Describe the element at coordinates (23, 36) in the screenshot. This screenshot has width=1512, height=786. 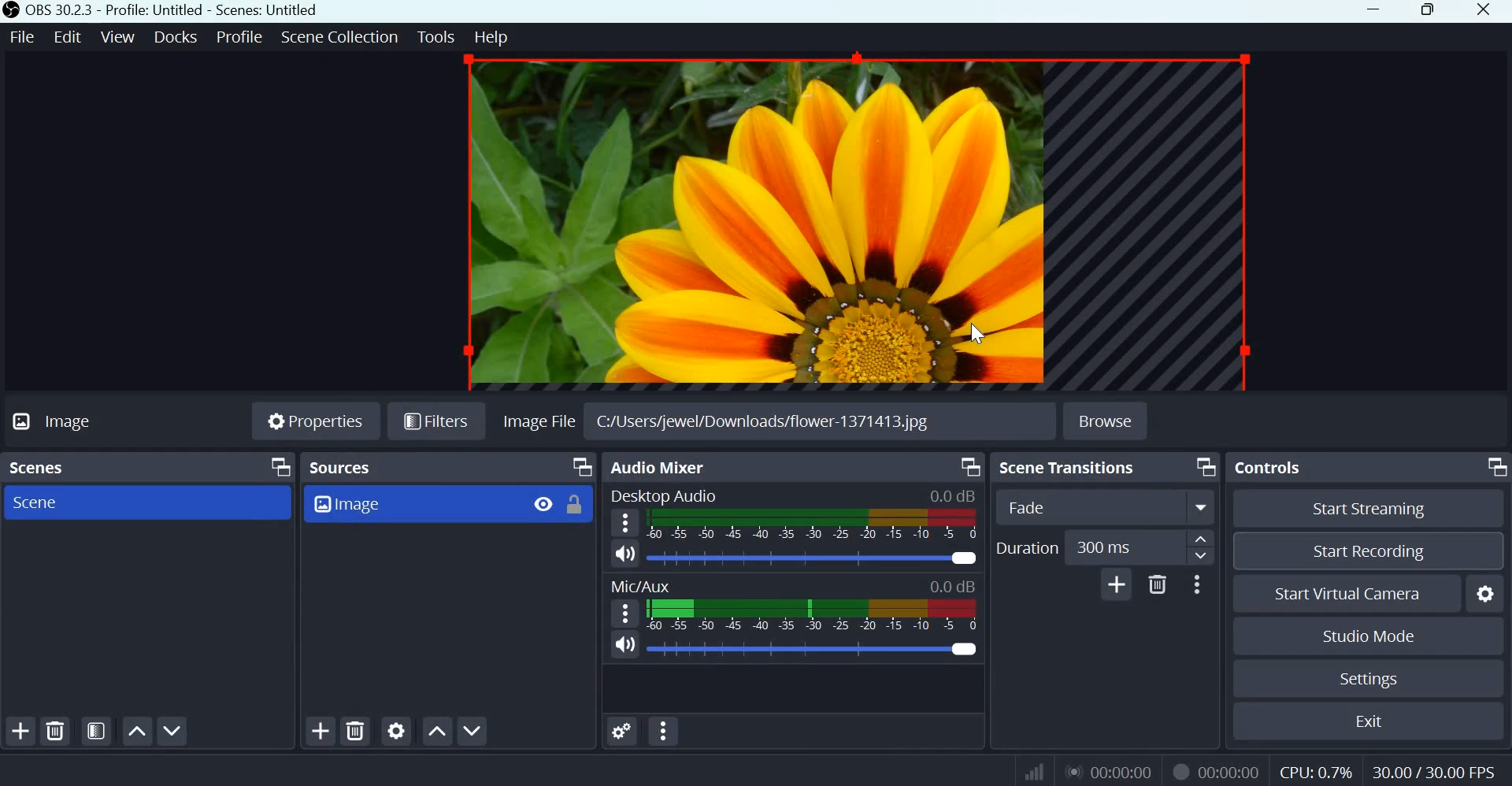
I see `file` at that location.